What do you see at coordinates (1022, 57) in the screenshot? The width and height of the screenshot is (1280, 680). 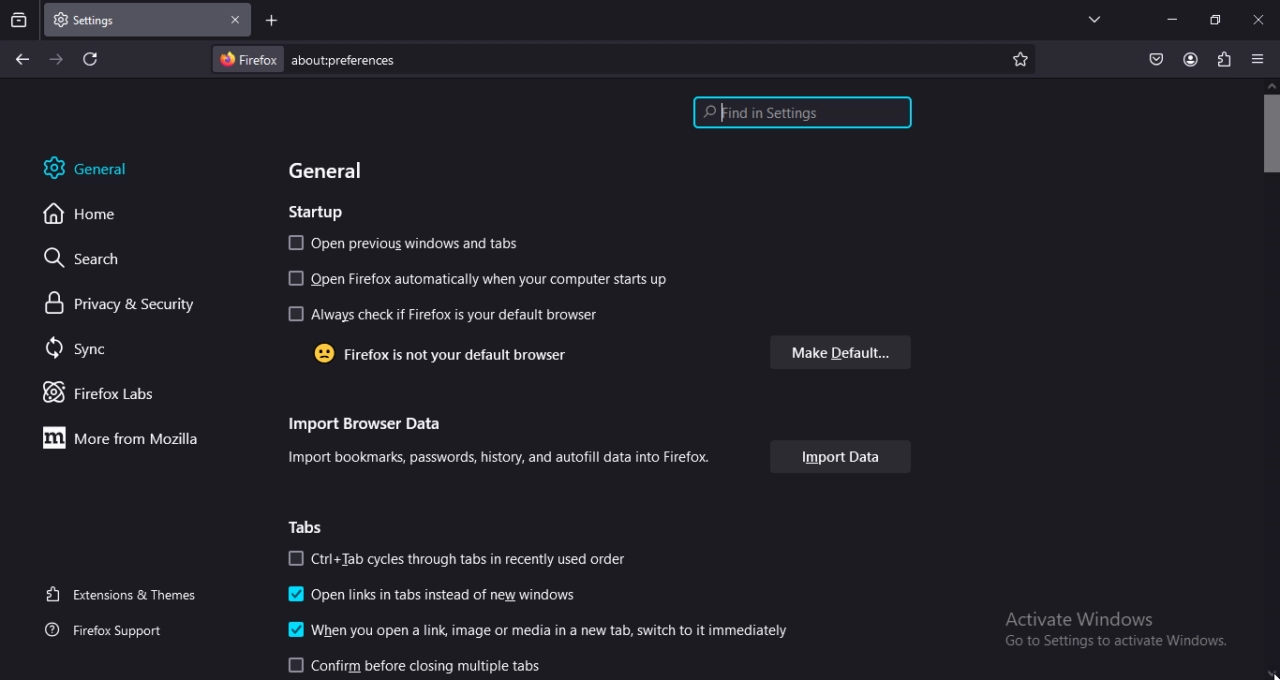 I see `bookmark page` at bounding box center [1022, 57].